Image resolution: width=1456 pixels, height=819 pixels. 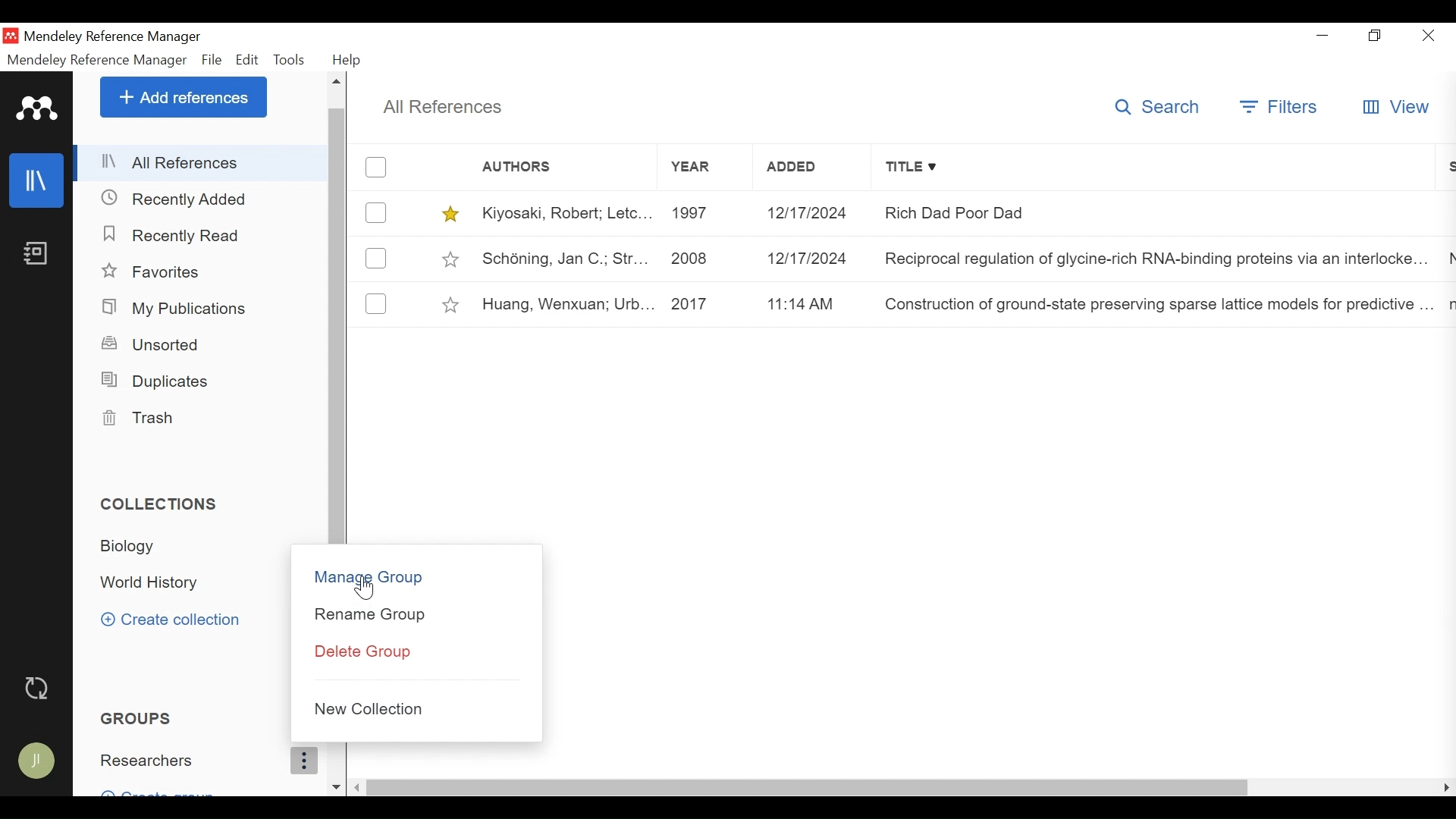 I want to click on Reciprocal regulation of glycine-rich RNA-binding proteins via an interlocked.., so click(x=1159, y=257).